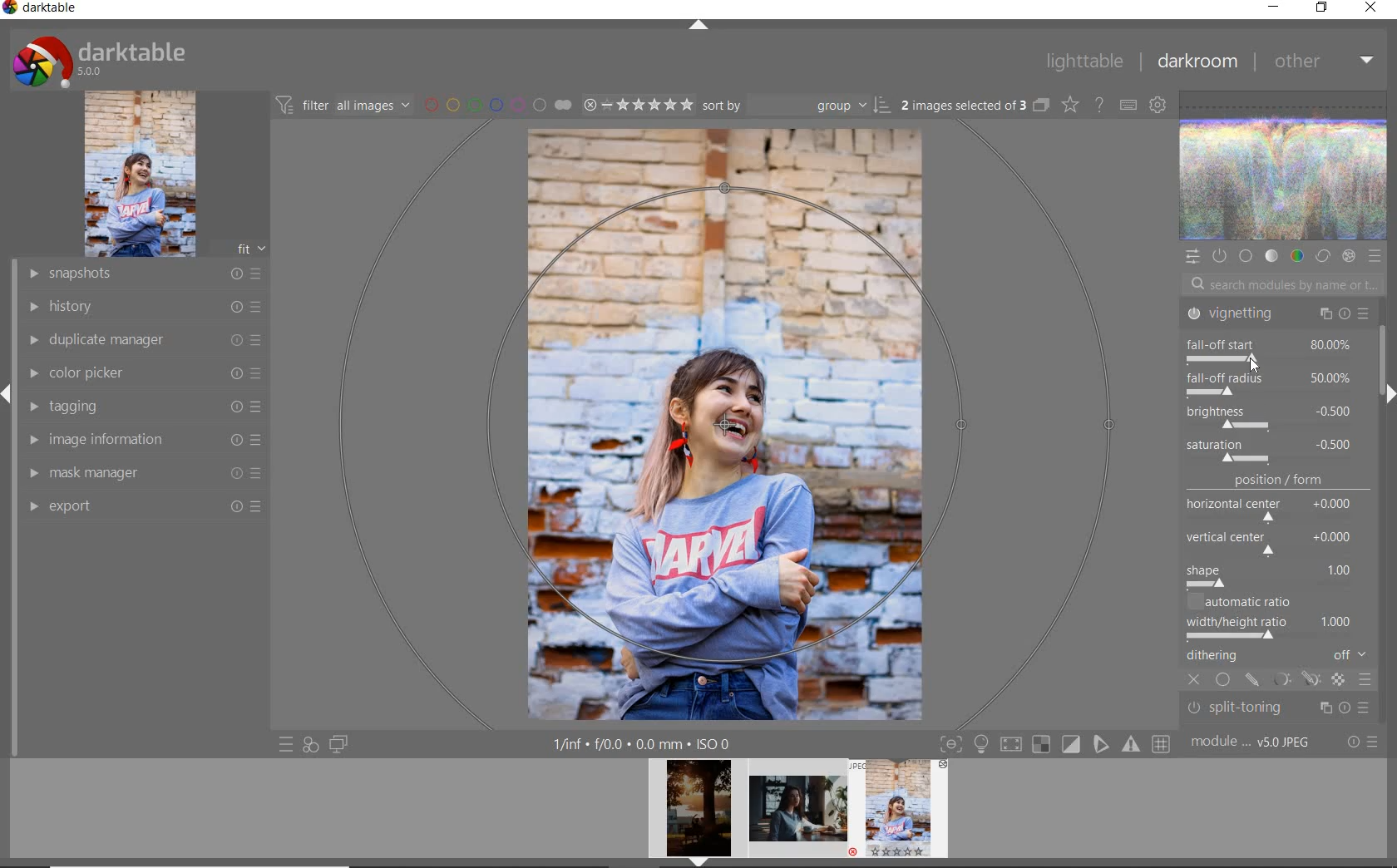 This screenshot has height=868, width=1397. Describe the element at coordinates (726, 422) in the screenshot. I see `selected image` at that location.